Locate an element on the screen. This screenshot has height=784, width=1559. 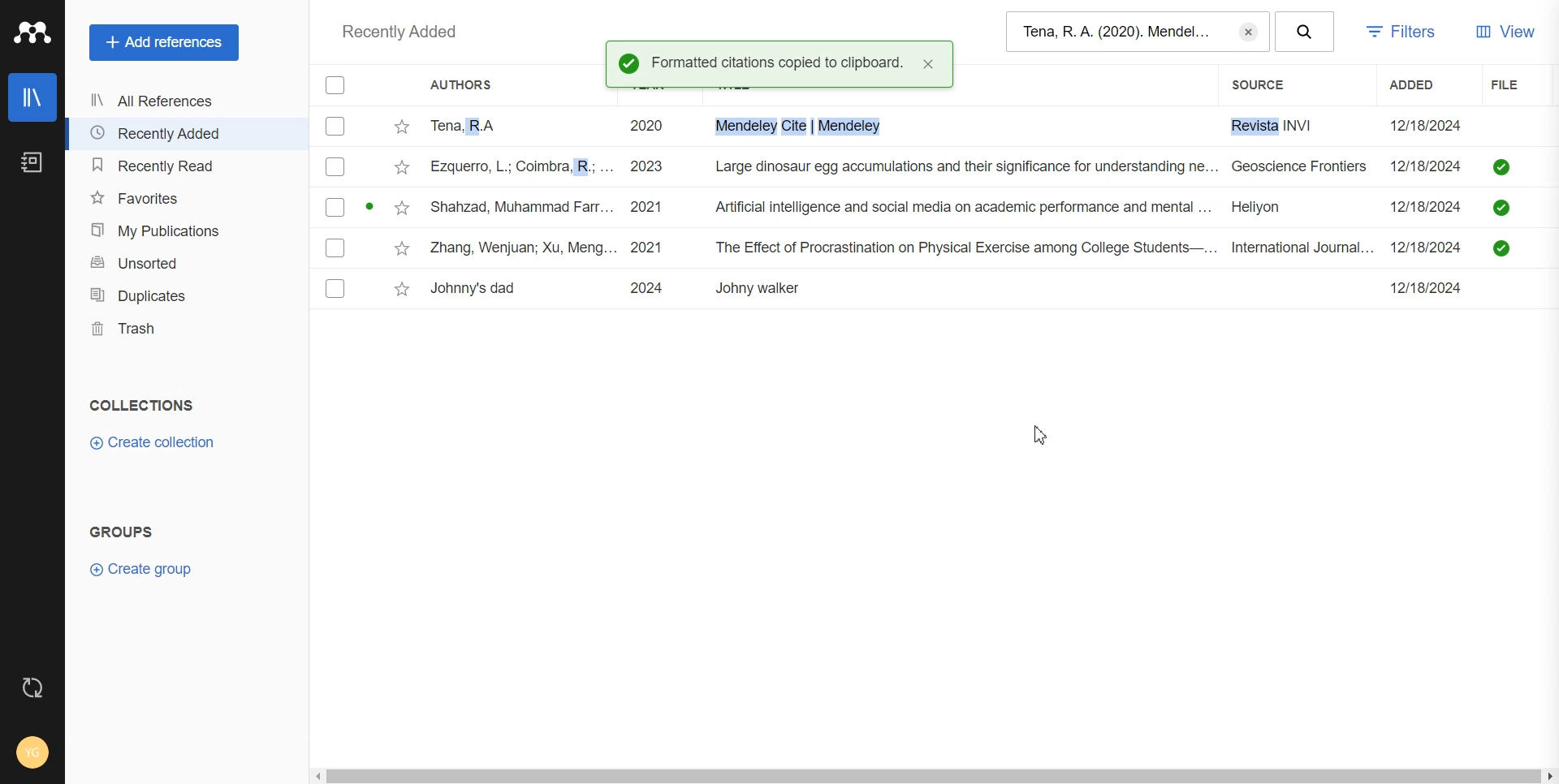
Shahzad, Muhammad Farr... 2021 Artificial intelligence and social media on academic performance and mental ...  Heliyon is located at coordinates (900, 205).